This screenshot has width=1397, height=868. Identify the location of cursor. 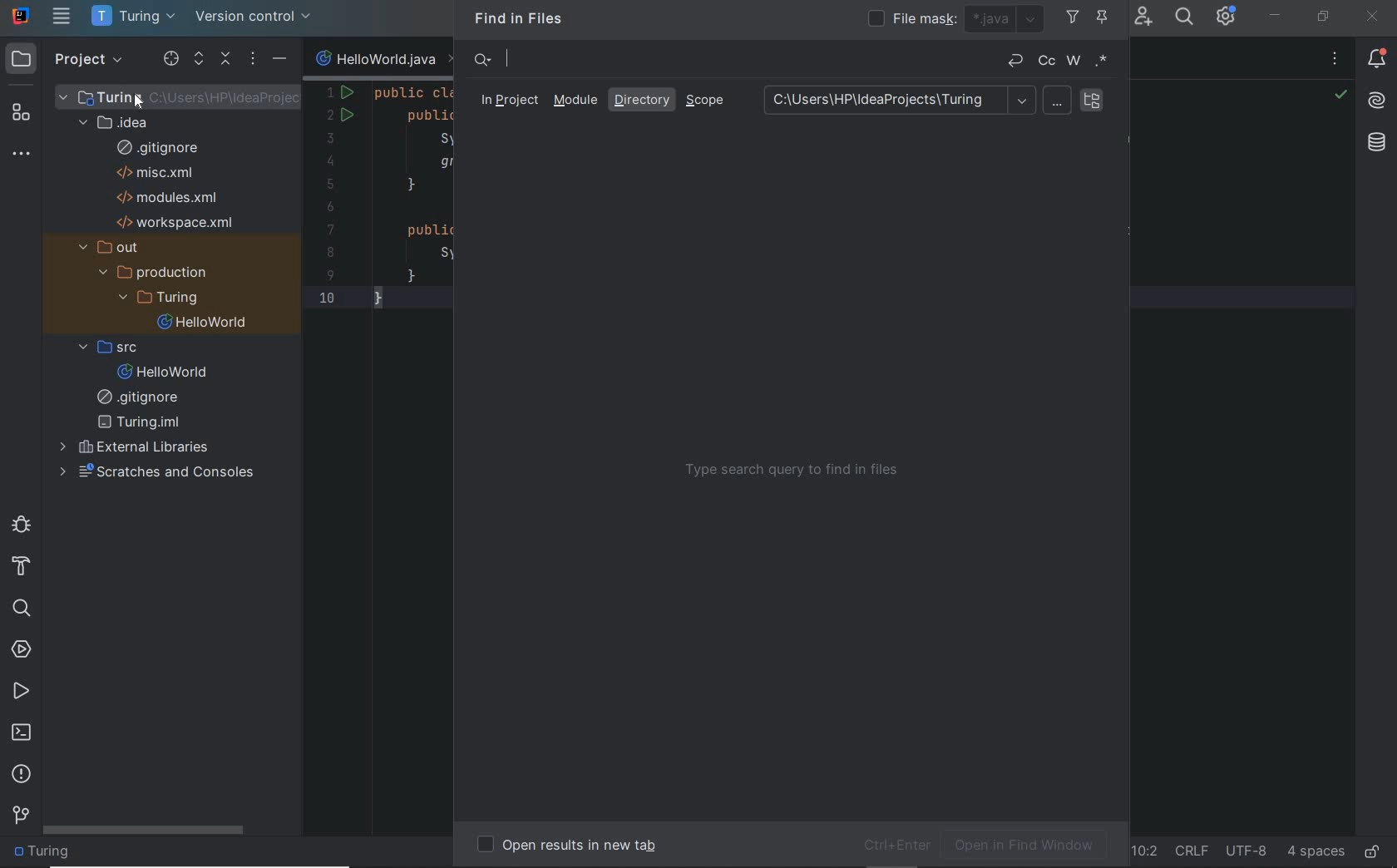
(132, 97).